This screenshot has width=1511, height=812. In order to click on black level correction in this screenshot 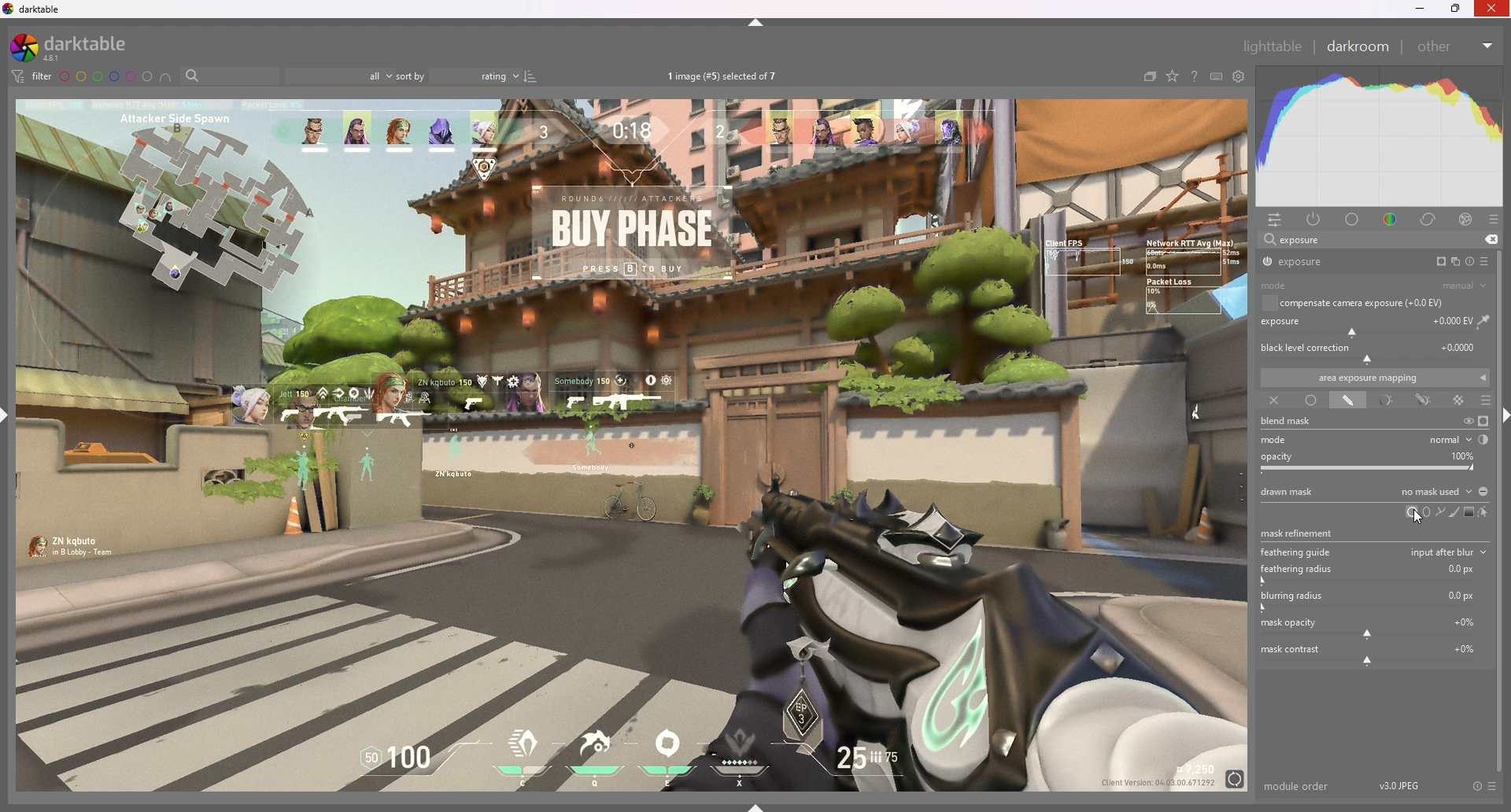, I will do `click(1373, 352)`.